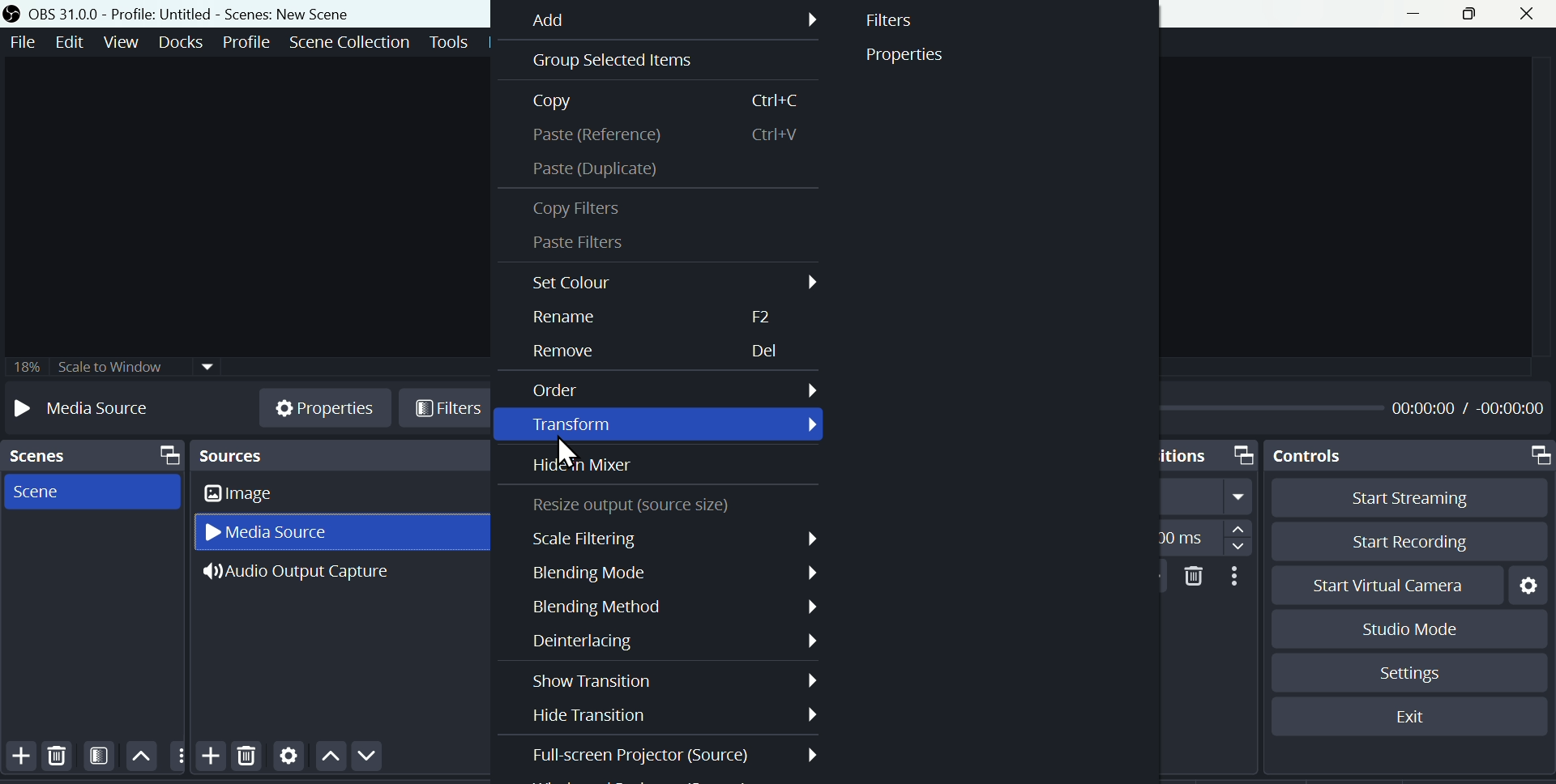 The image size is (1556, 784). What do you see at coordinates (194, 12) in the screenshot?
I see `OBS 31.0 .0 profile: untitled scenes: new scene` at bounding box center [194, 12].